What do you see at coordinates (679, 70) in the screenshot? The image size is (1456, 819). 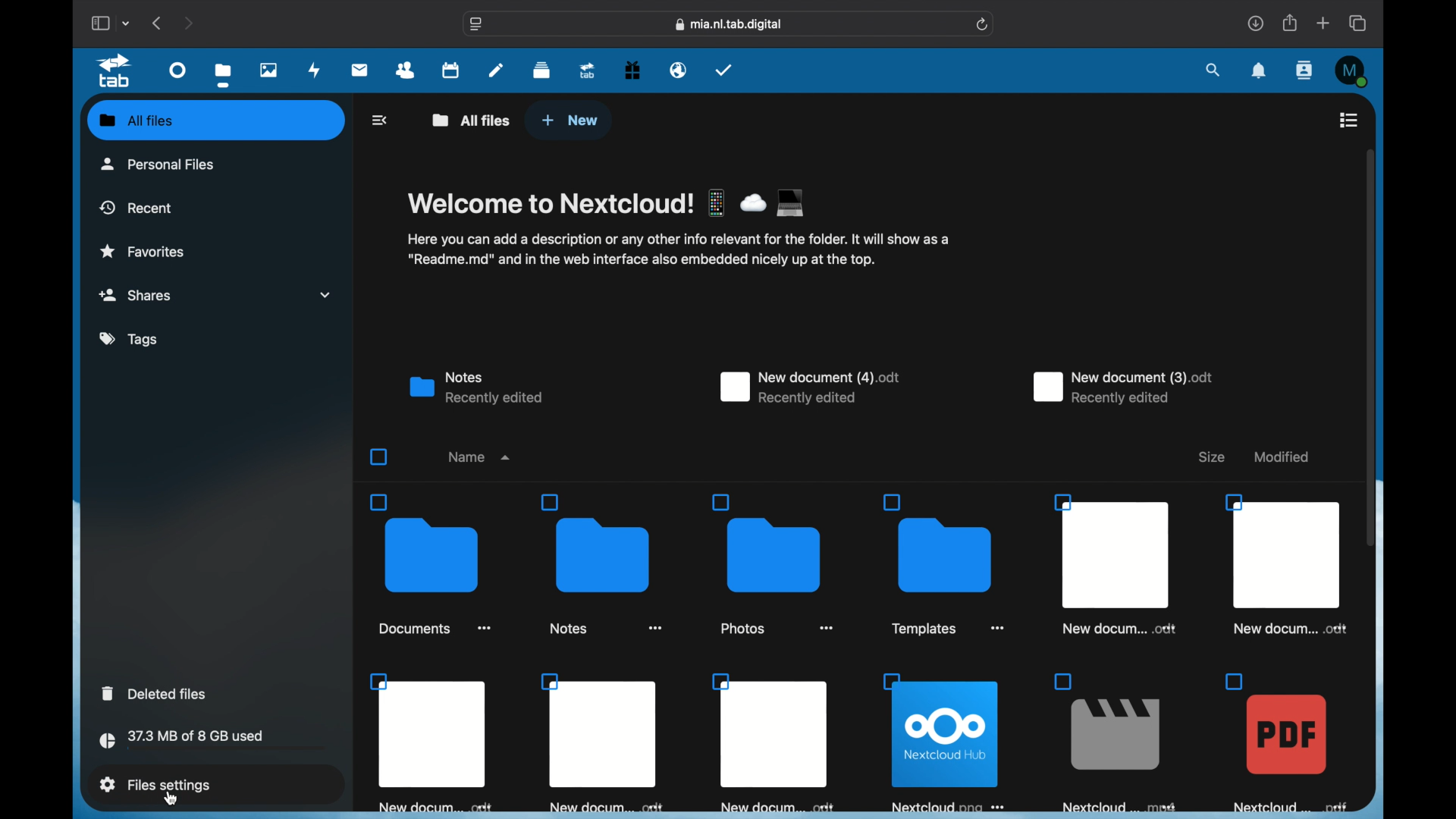 I see `email` at bounding box center [679, 70].